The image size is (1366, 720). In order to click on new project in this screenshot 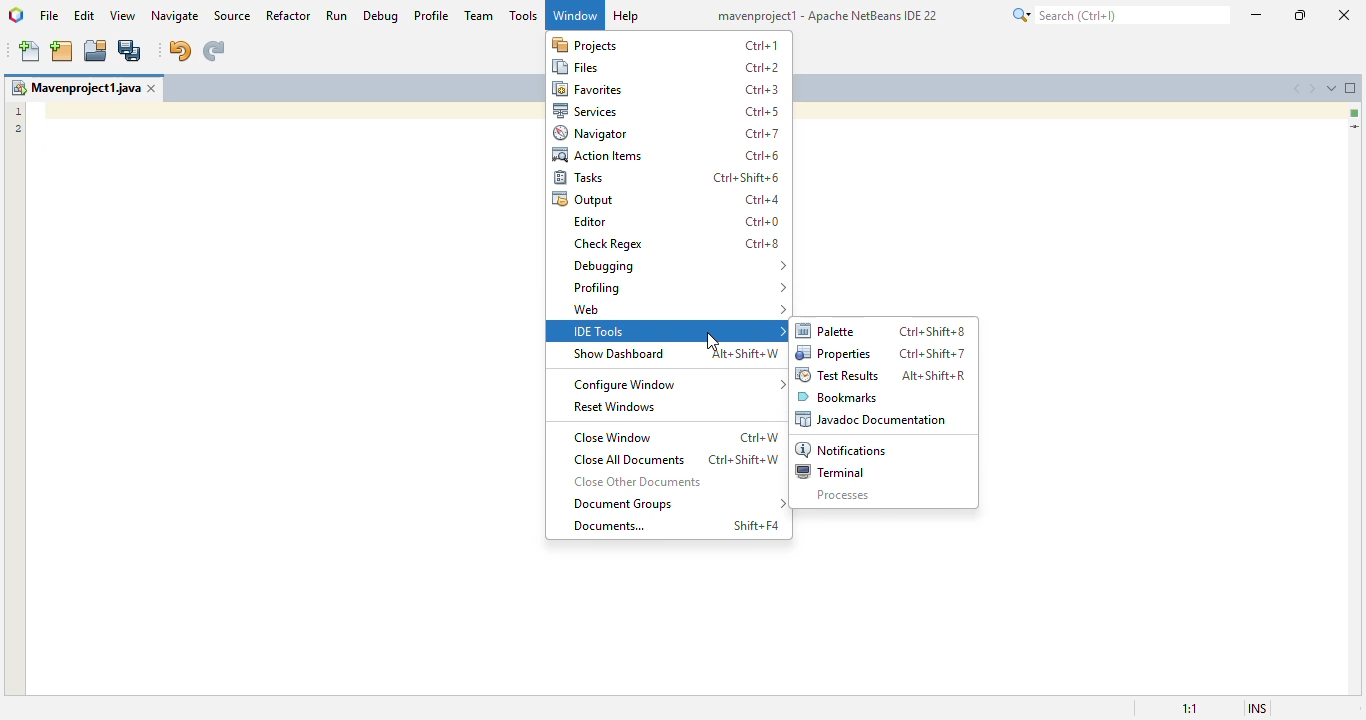, I will do `click(62, 51)`.